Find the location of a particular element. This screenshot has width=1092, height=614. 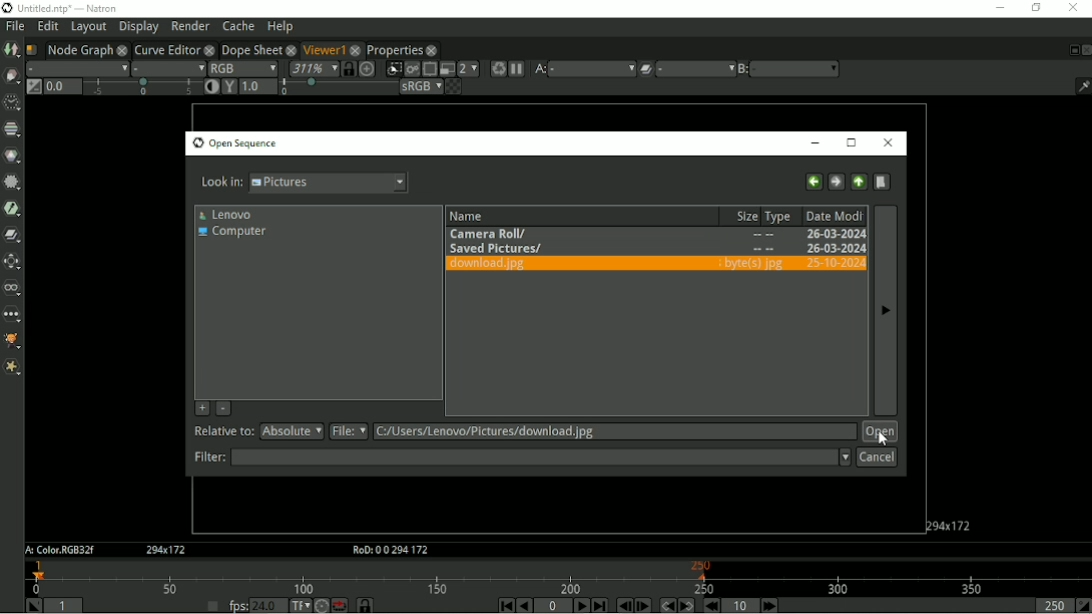

Viewer gamma correction is located at coordinates (229, 86).